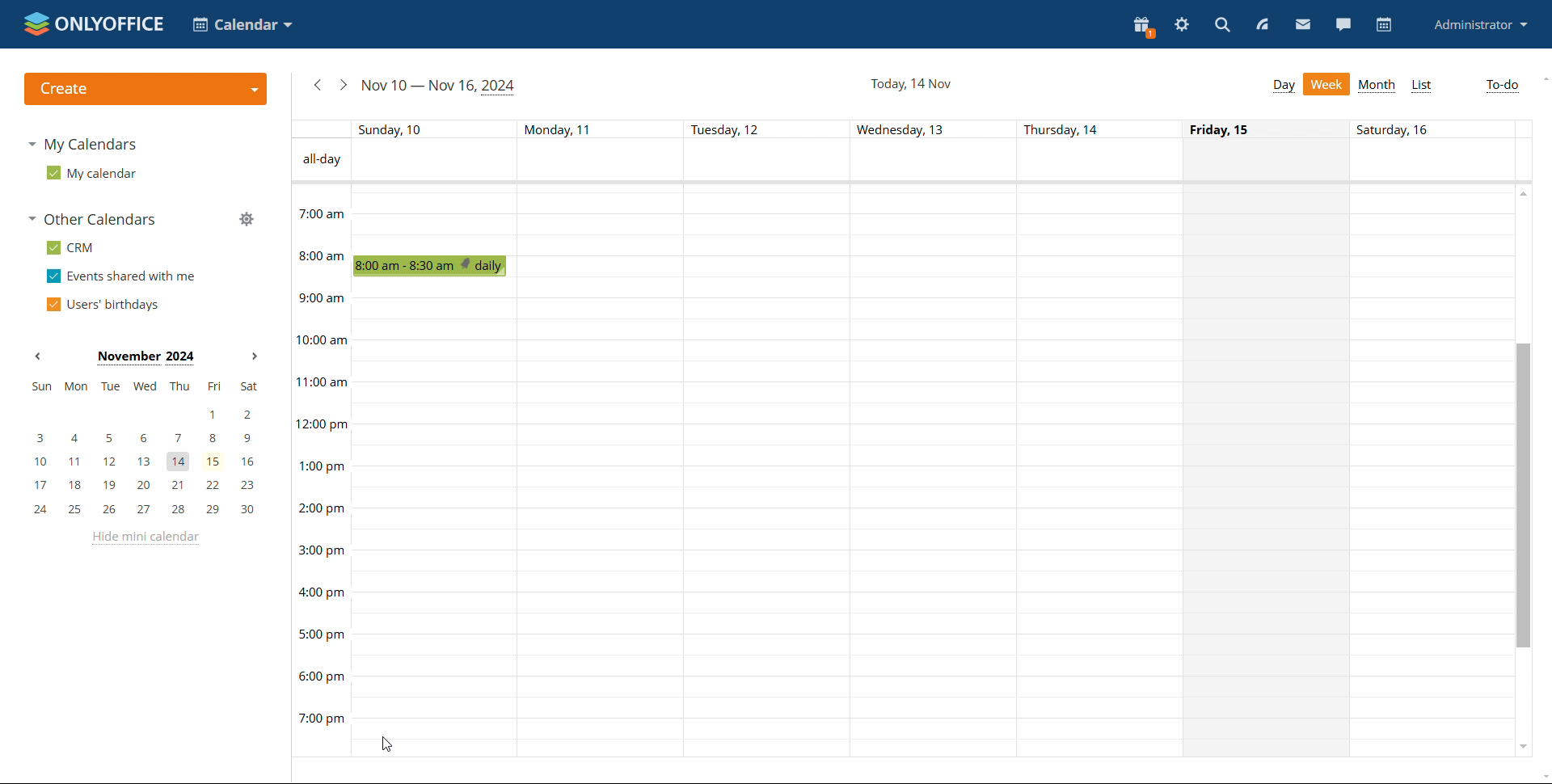  Describe the element at coordinates (144, 449) in the screenshot. I see `mini calendar` at that location.